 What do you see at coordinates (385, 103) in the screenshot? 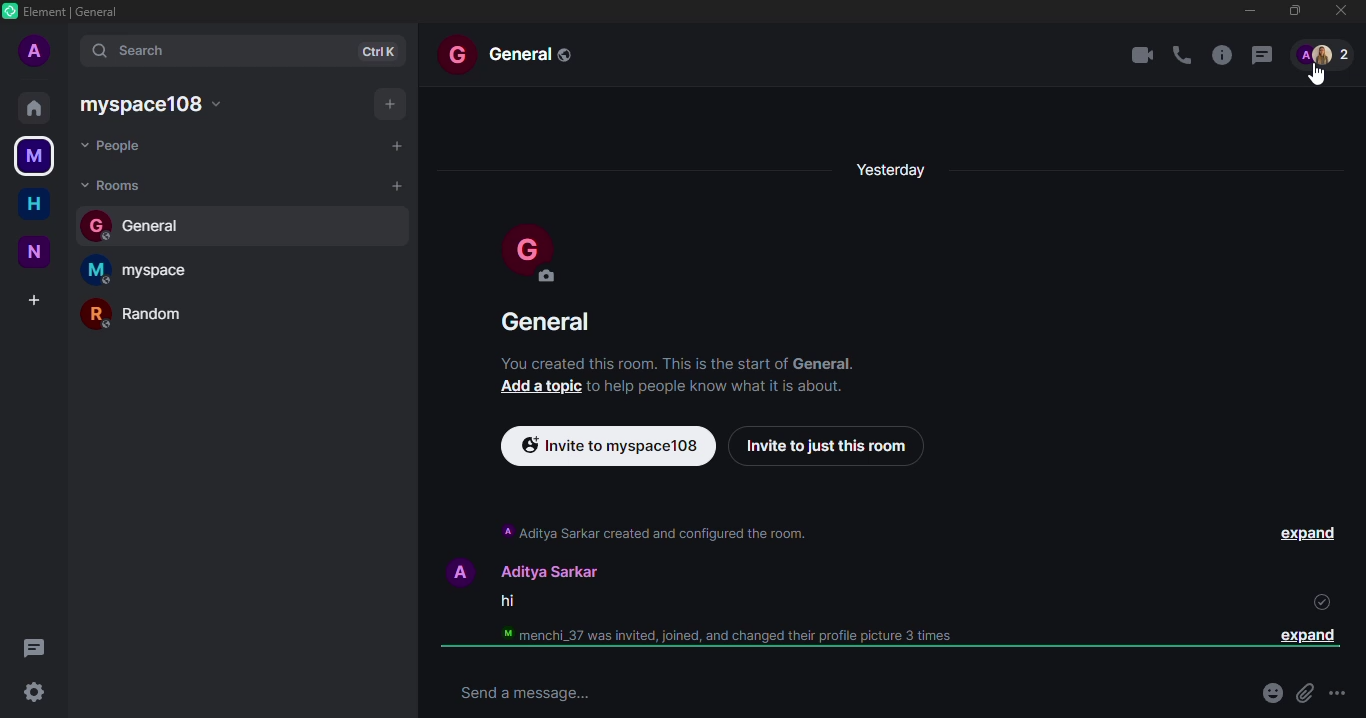
I see `add` at bounding box center [385, 103].